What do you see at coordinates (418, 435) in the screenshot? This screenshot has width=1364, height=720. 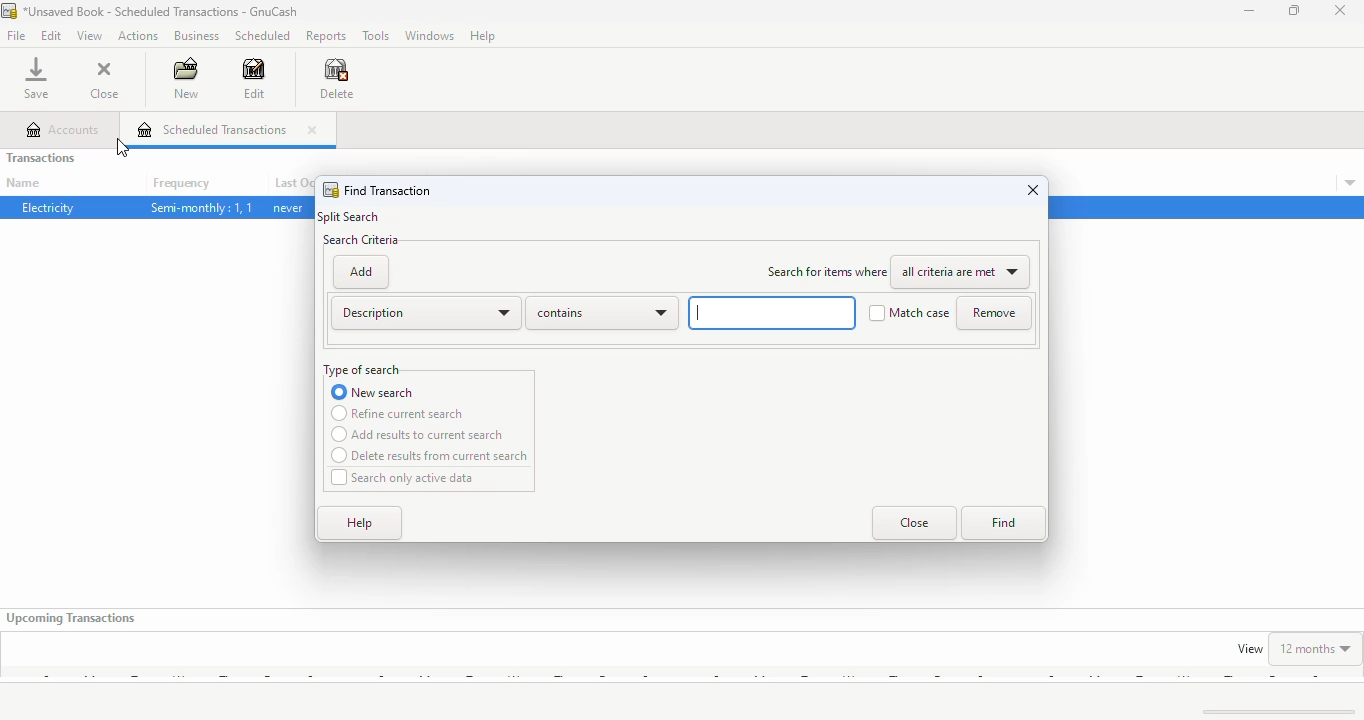 I see `add results to current search` at bounding box center [418, 435].